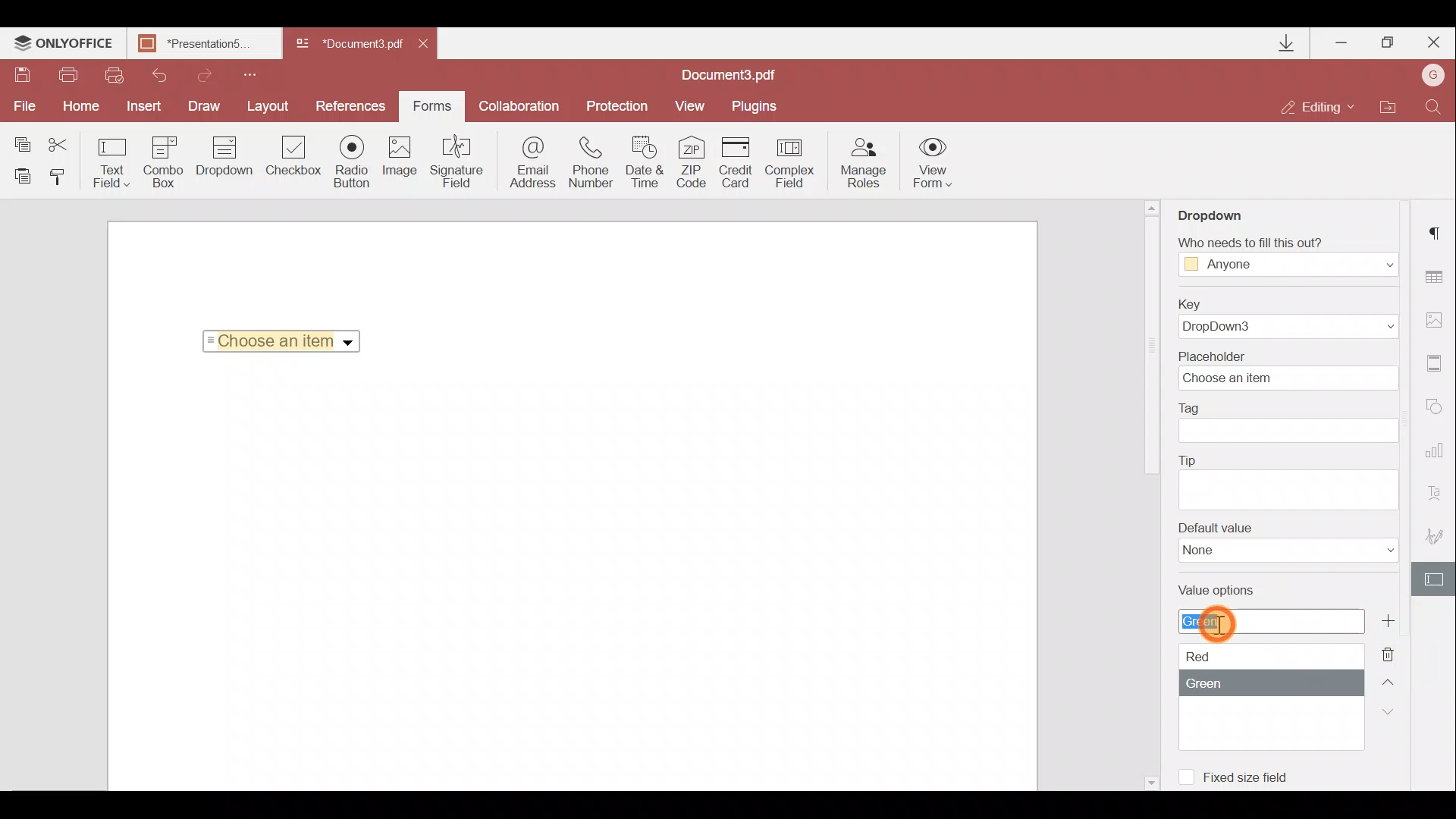  I want to click on Find, so click(1436, 106).